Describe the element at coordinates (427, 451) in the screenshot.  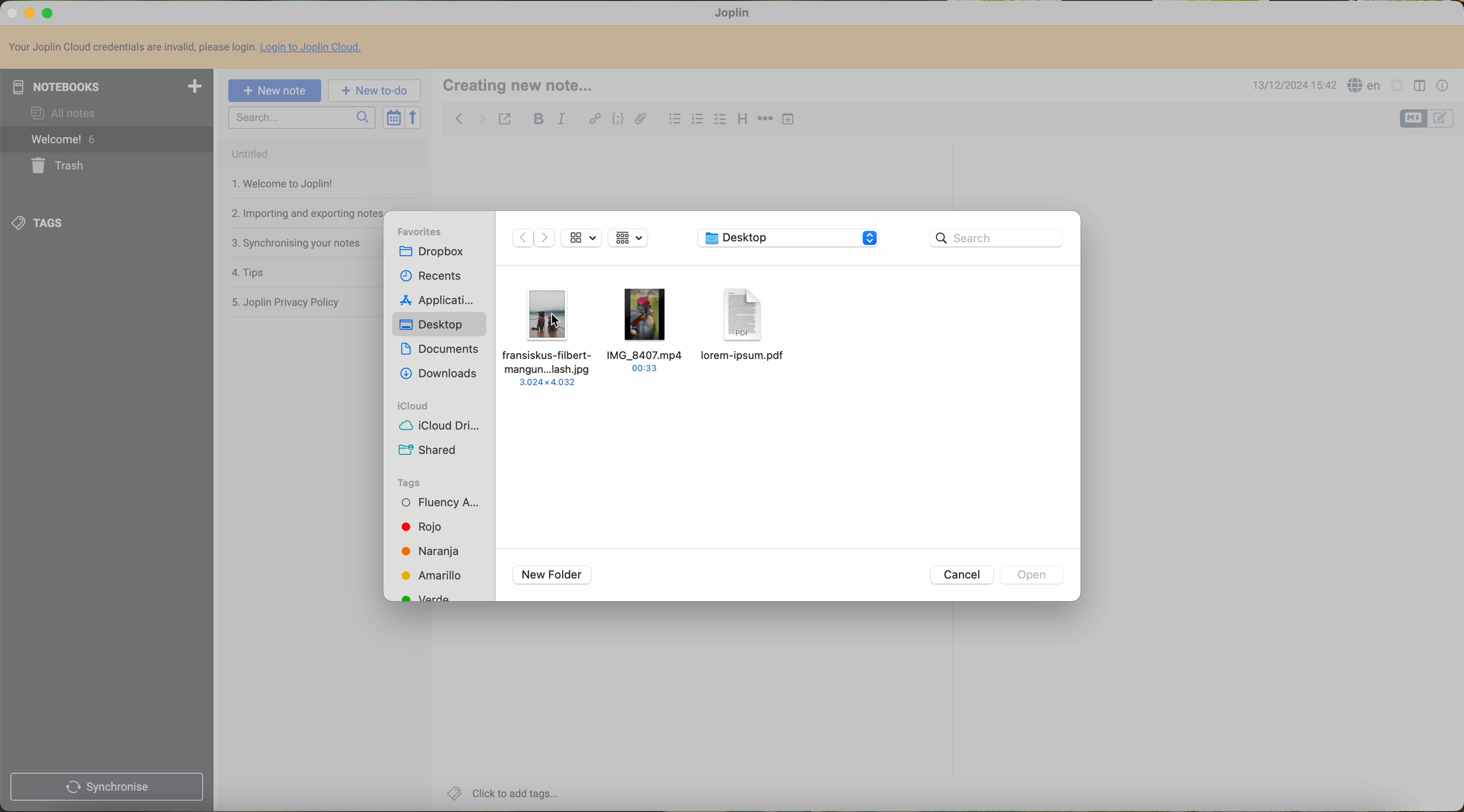
I see `shared` at that location.